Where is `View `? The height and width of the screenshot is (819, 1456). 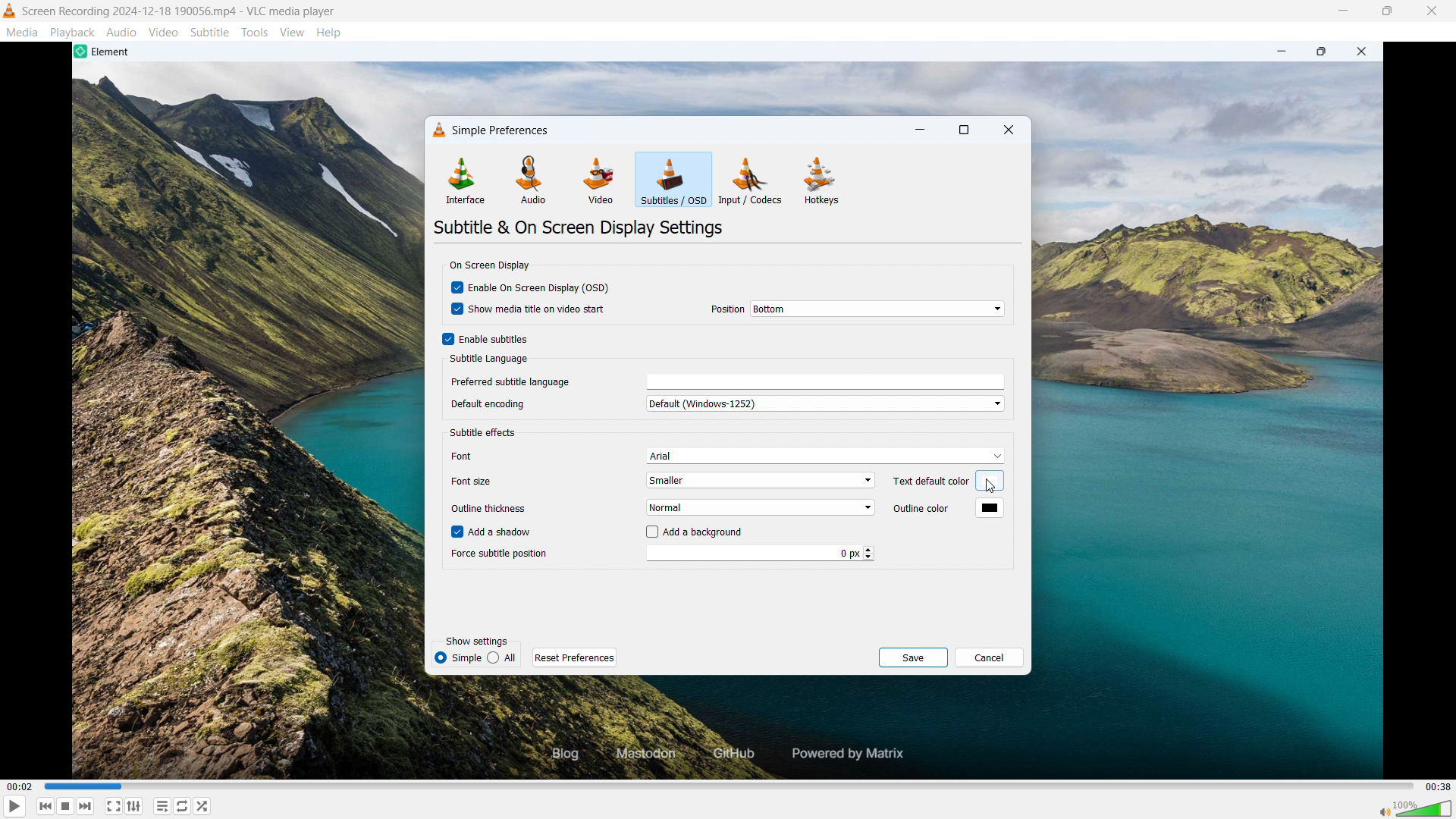 View  is located at coordinates (293, 32).